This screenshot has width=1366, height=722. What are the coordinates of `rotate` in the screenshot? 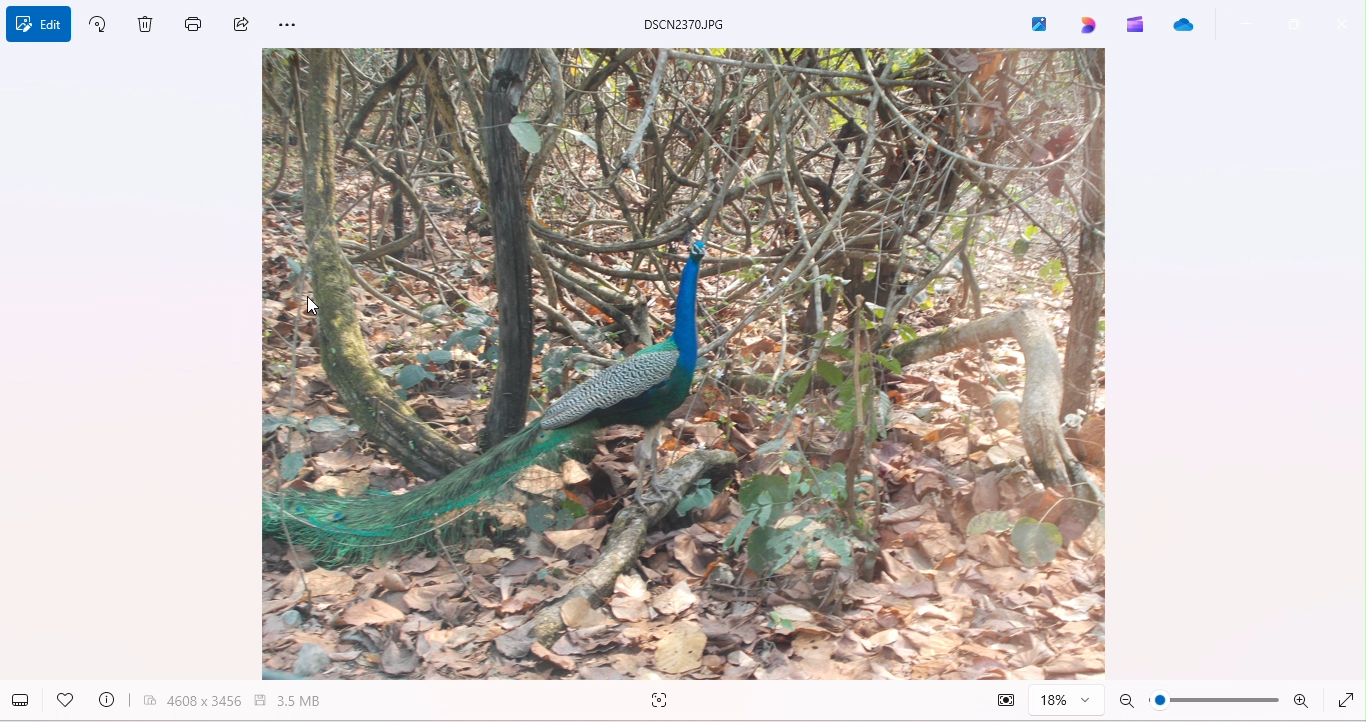 It's located at (104, 27).